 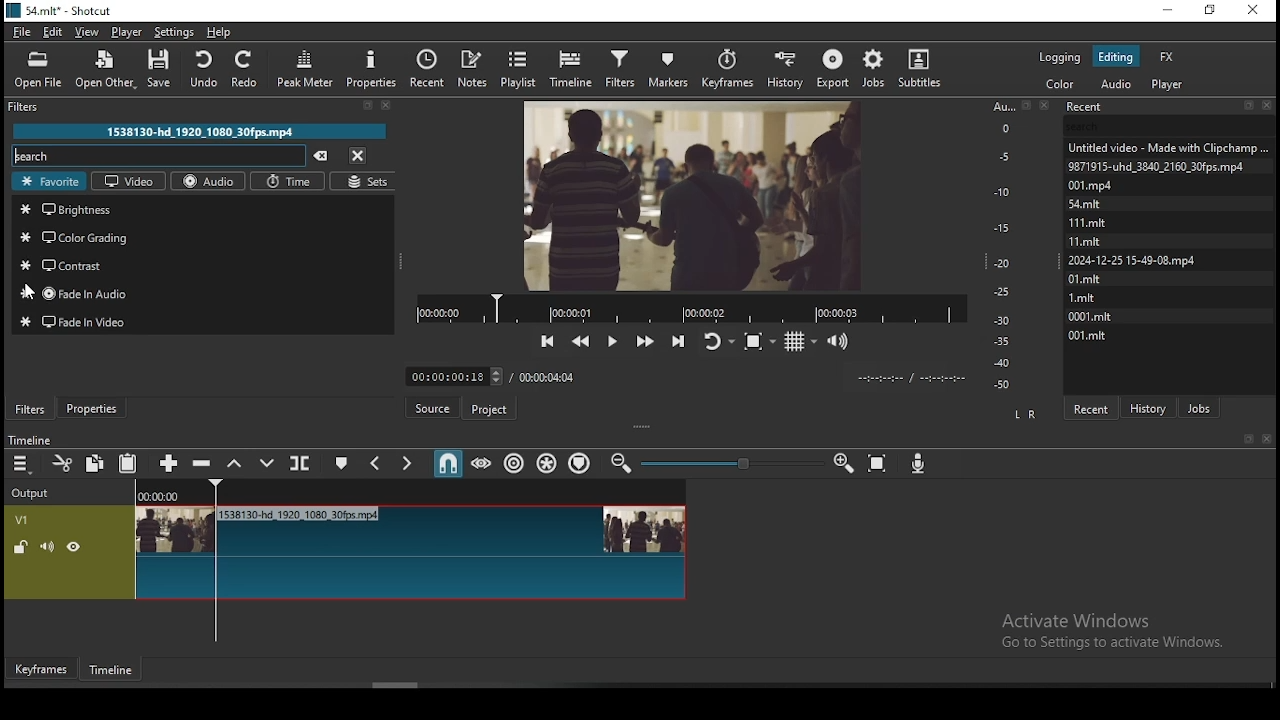 I want to click on 1538130-hd_1920_1080_30fps.mp4, so click(x=205, y=130).